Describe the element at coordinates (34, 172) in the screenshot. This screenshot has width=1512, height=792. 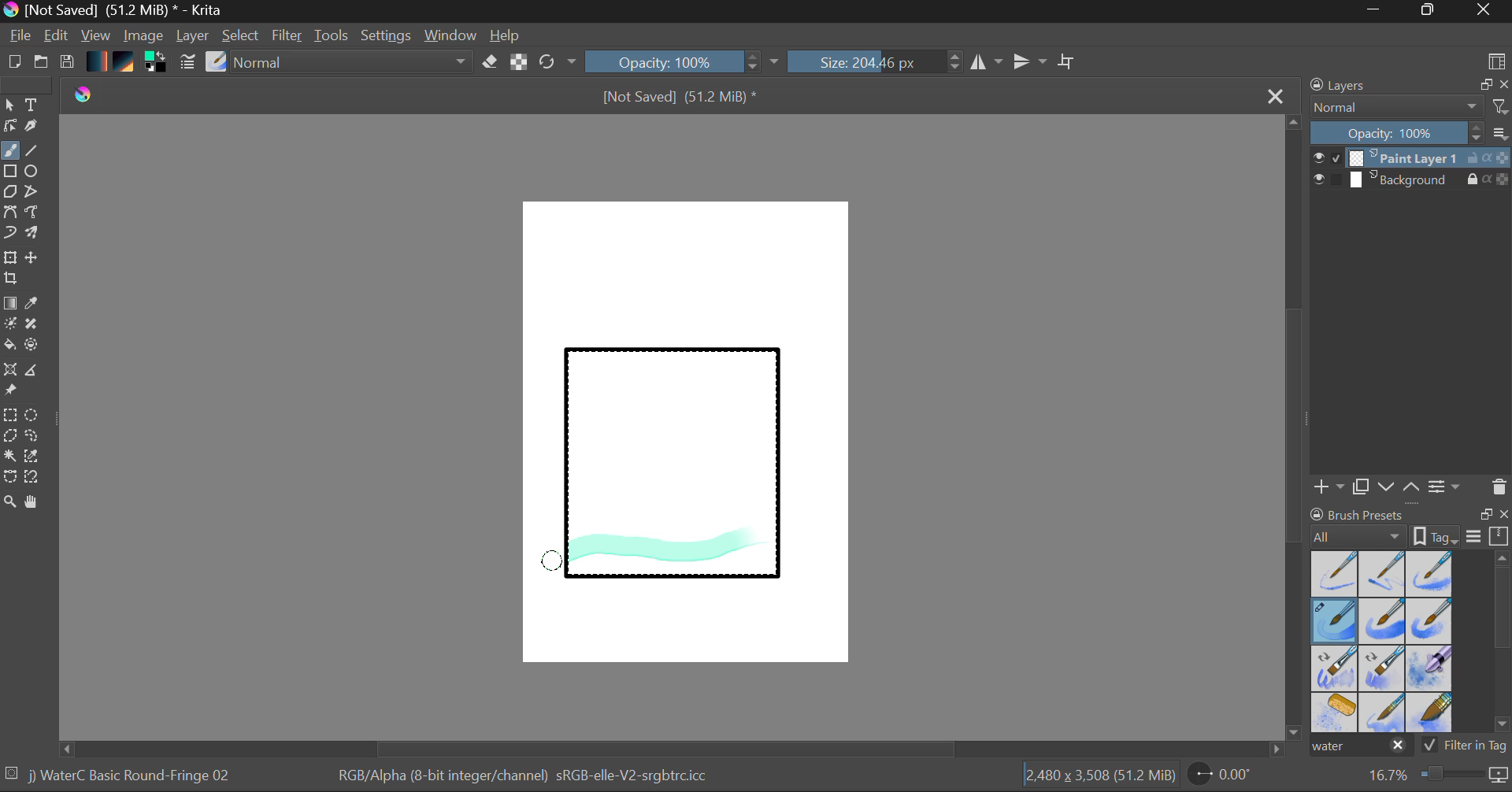
I see `Elipses` at that location.